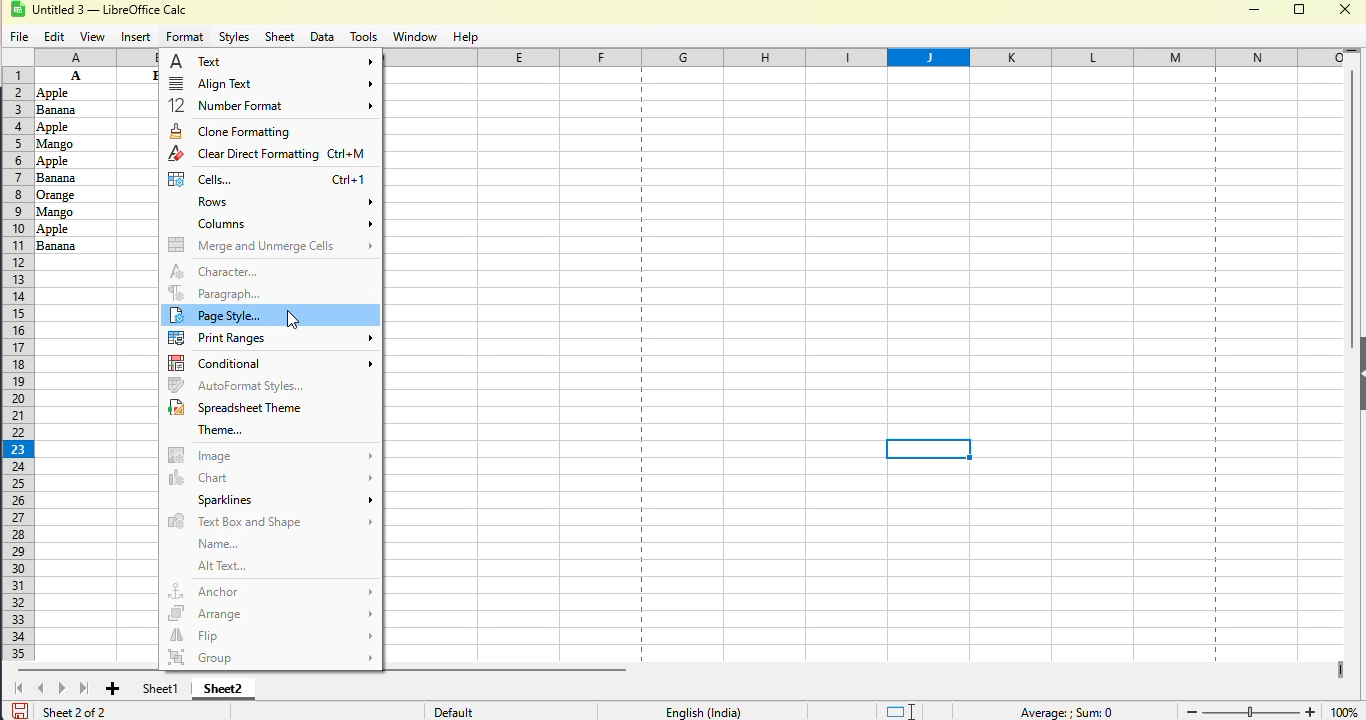 The width and height of the screenshot is (1366, 720). I want to click on view, so click(92, 37).